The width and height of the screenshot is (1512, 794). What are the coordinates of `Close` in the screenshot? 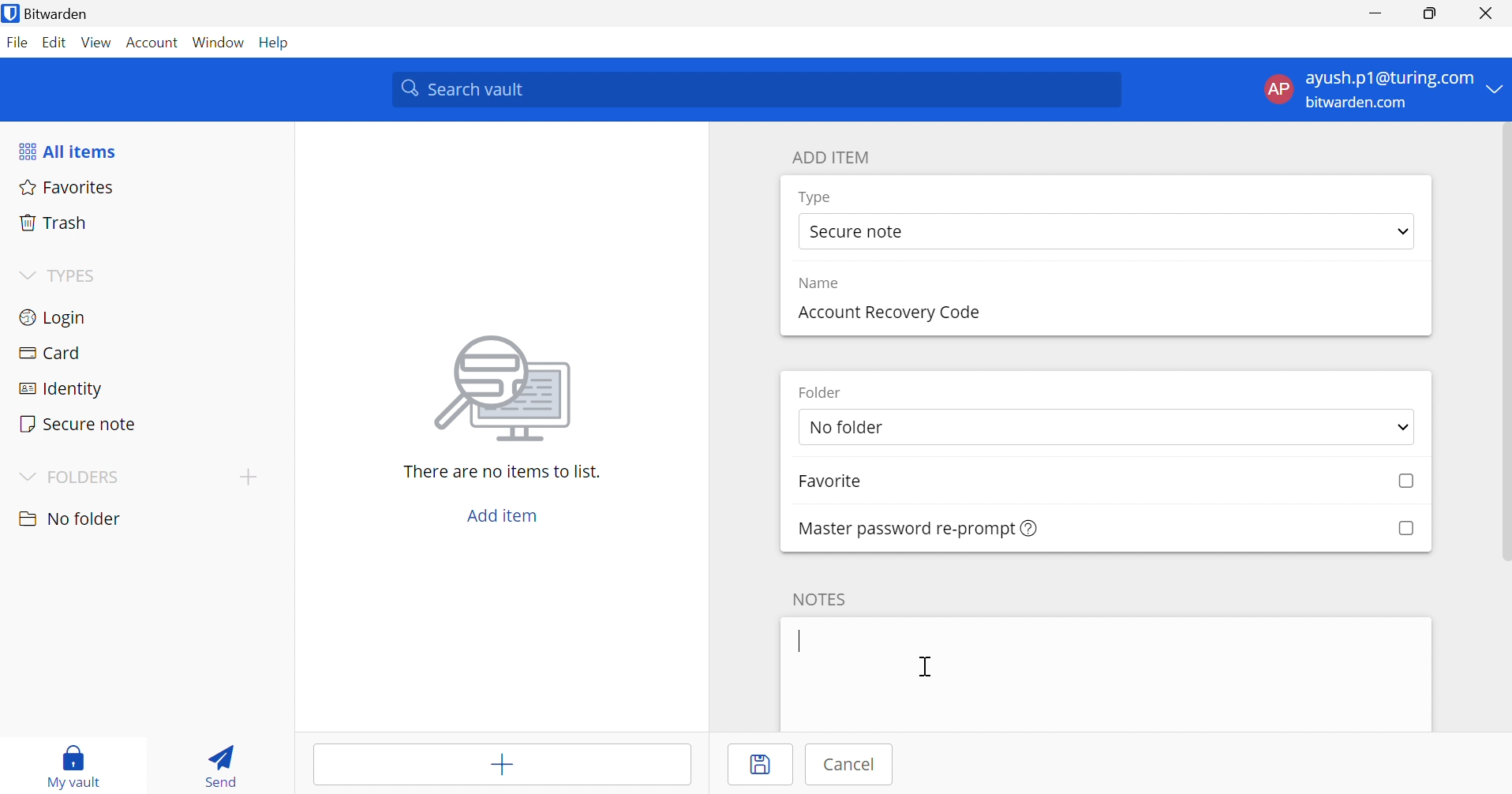 It's located at (1484, 13).